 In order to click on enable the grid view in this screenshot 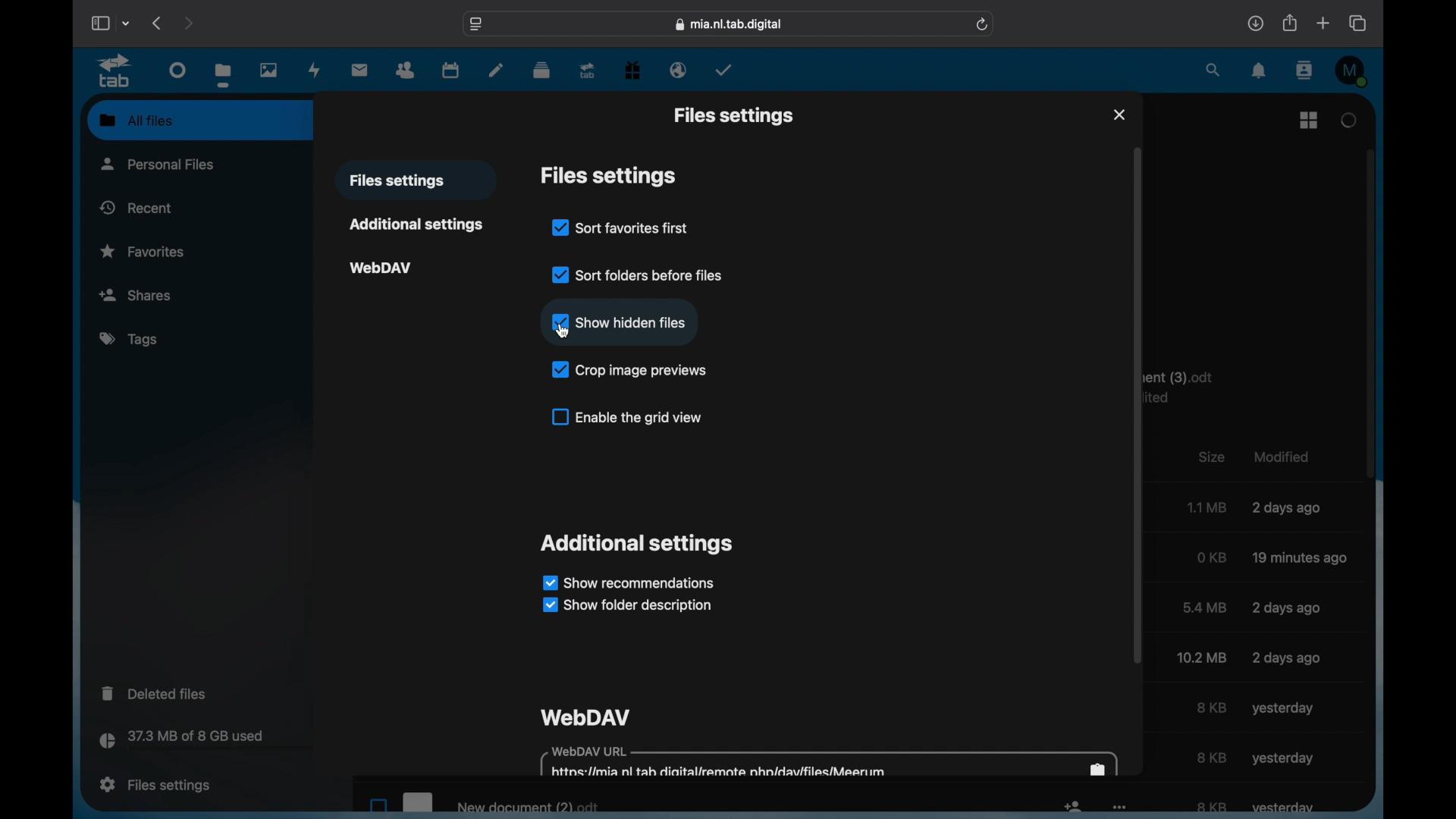, I will do `click(627, 417)`.